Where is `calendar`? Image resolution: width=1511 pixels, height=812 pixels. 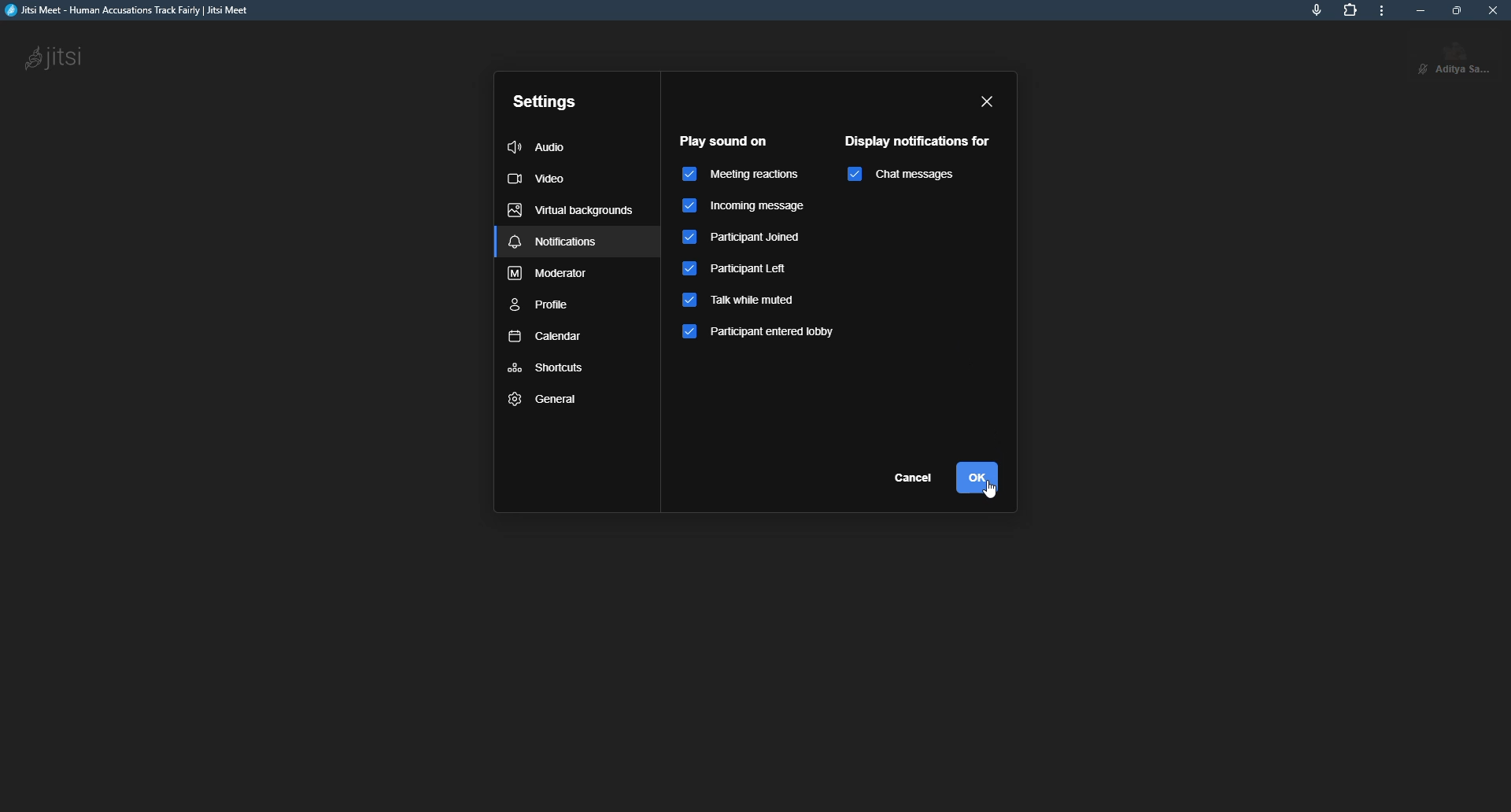 calendar is located at coordinates (544, 338).